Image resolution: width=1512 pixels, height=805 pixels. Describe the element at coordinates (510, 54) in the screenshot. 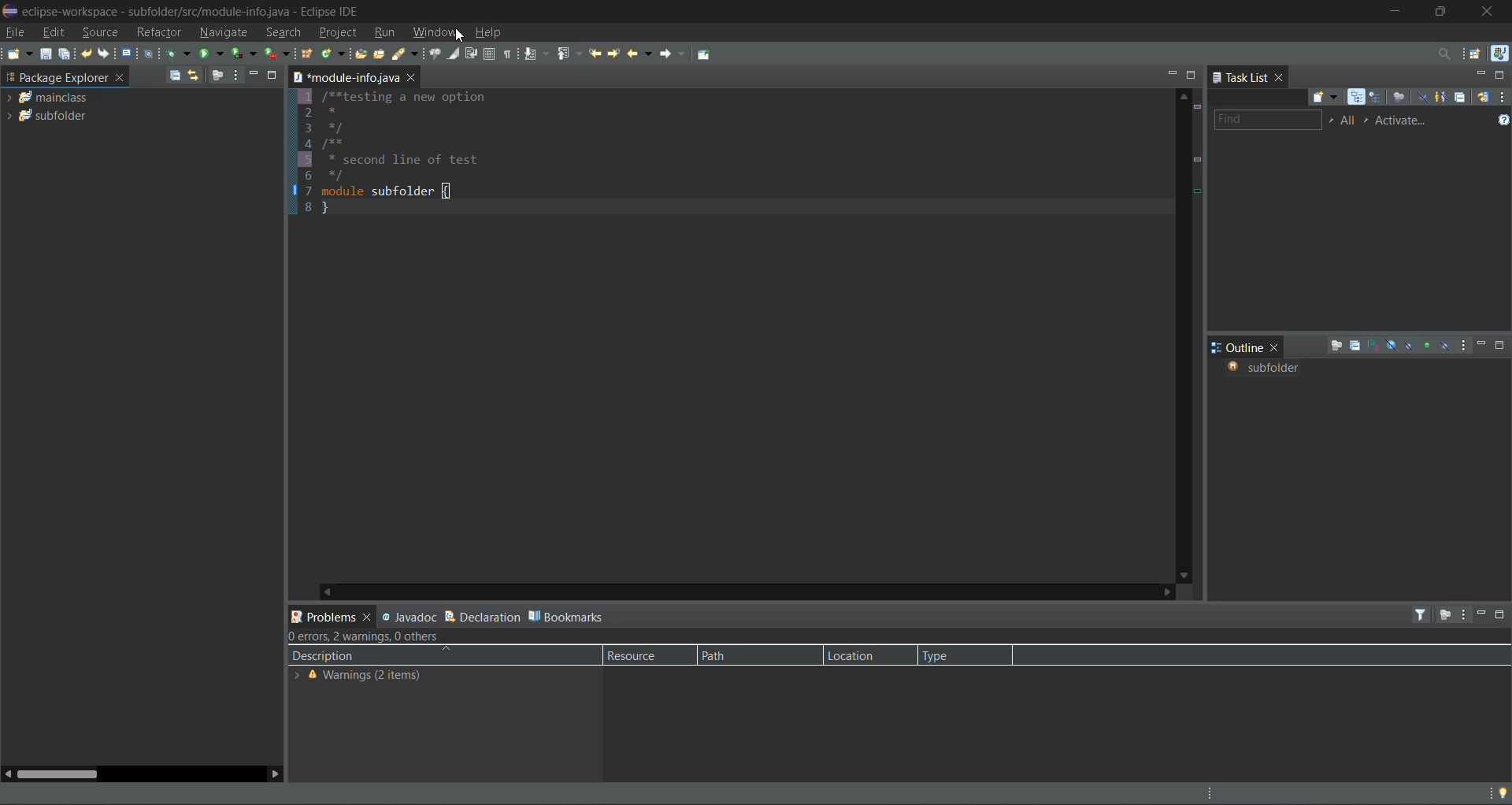

I see `show whitespace characters` at that location.